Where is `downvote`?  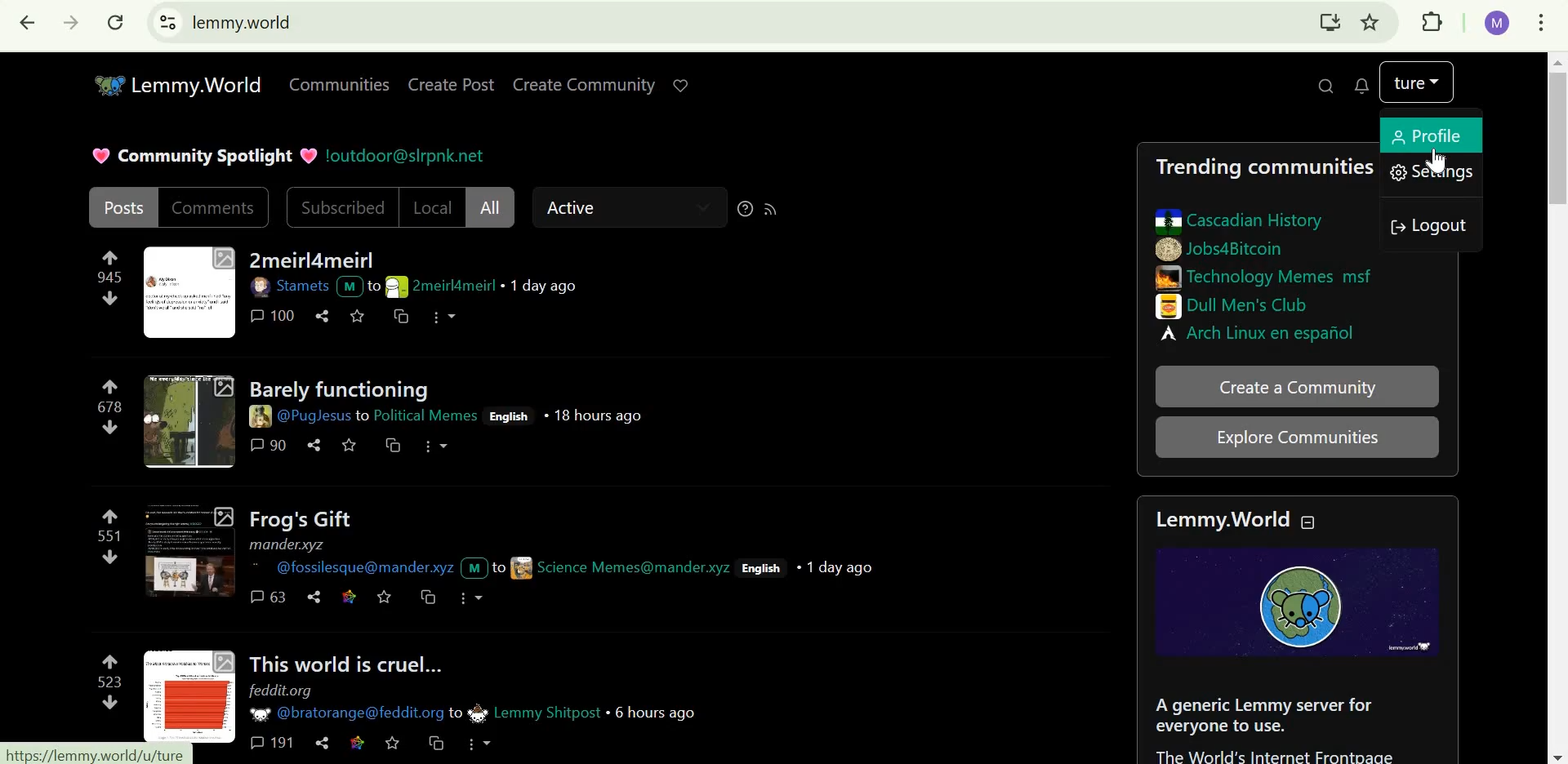 downvote is located at coordinates (109, 558).